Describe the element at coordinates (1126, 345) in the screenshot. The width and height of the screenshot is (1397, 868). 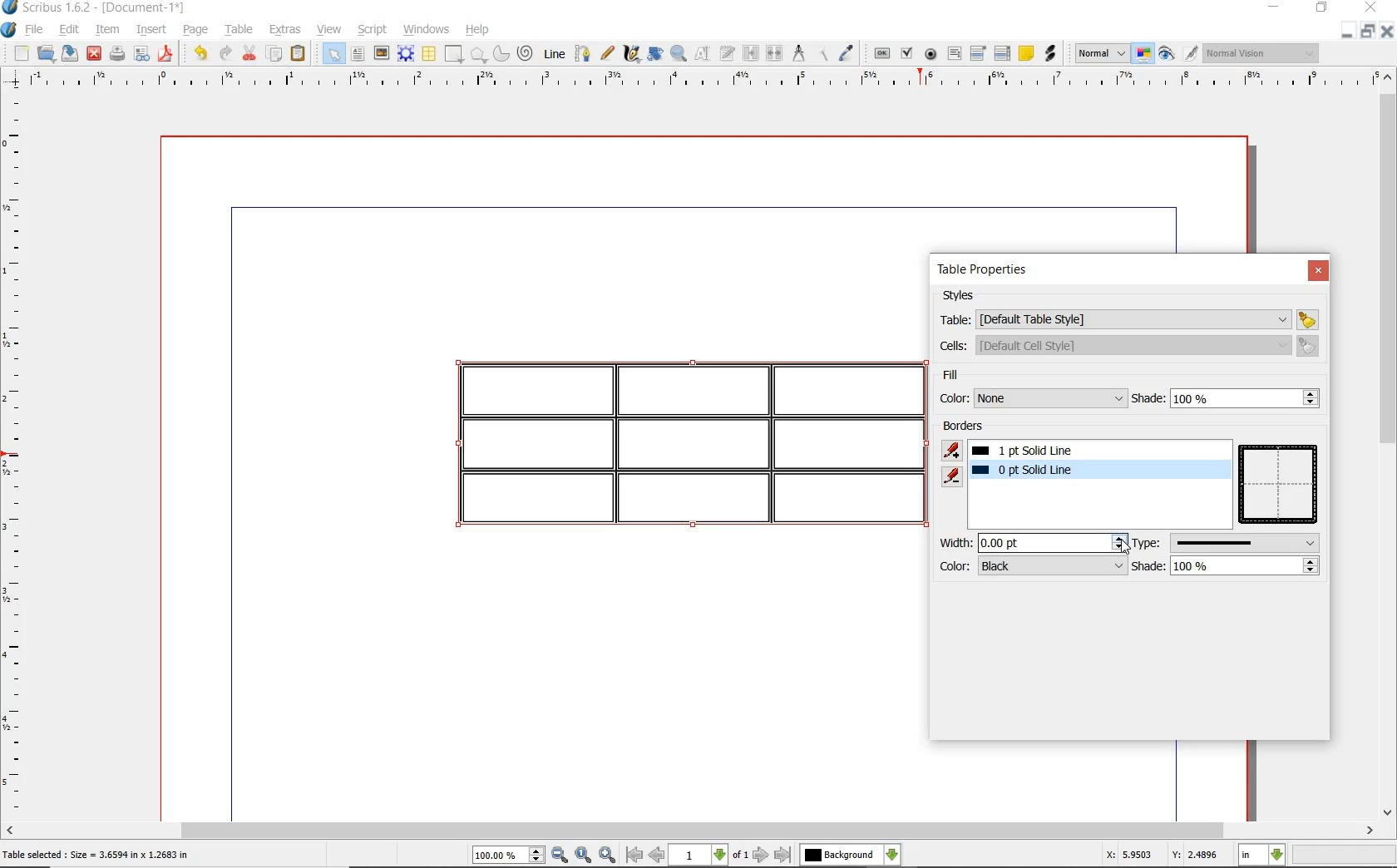
I see `cells` at that location.